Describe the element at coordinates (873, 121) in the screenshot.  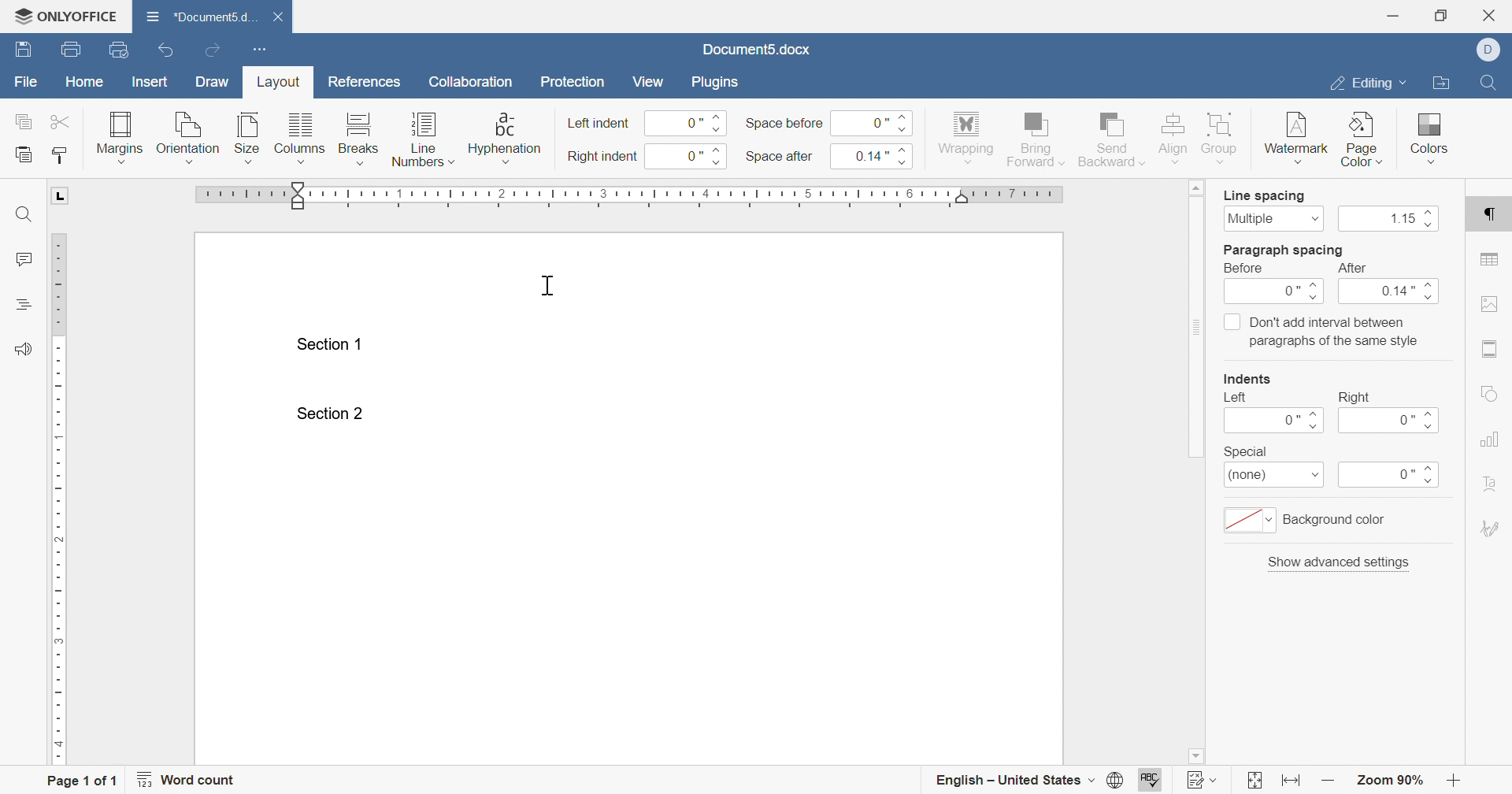
I see `0` at that location.